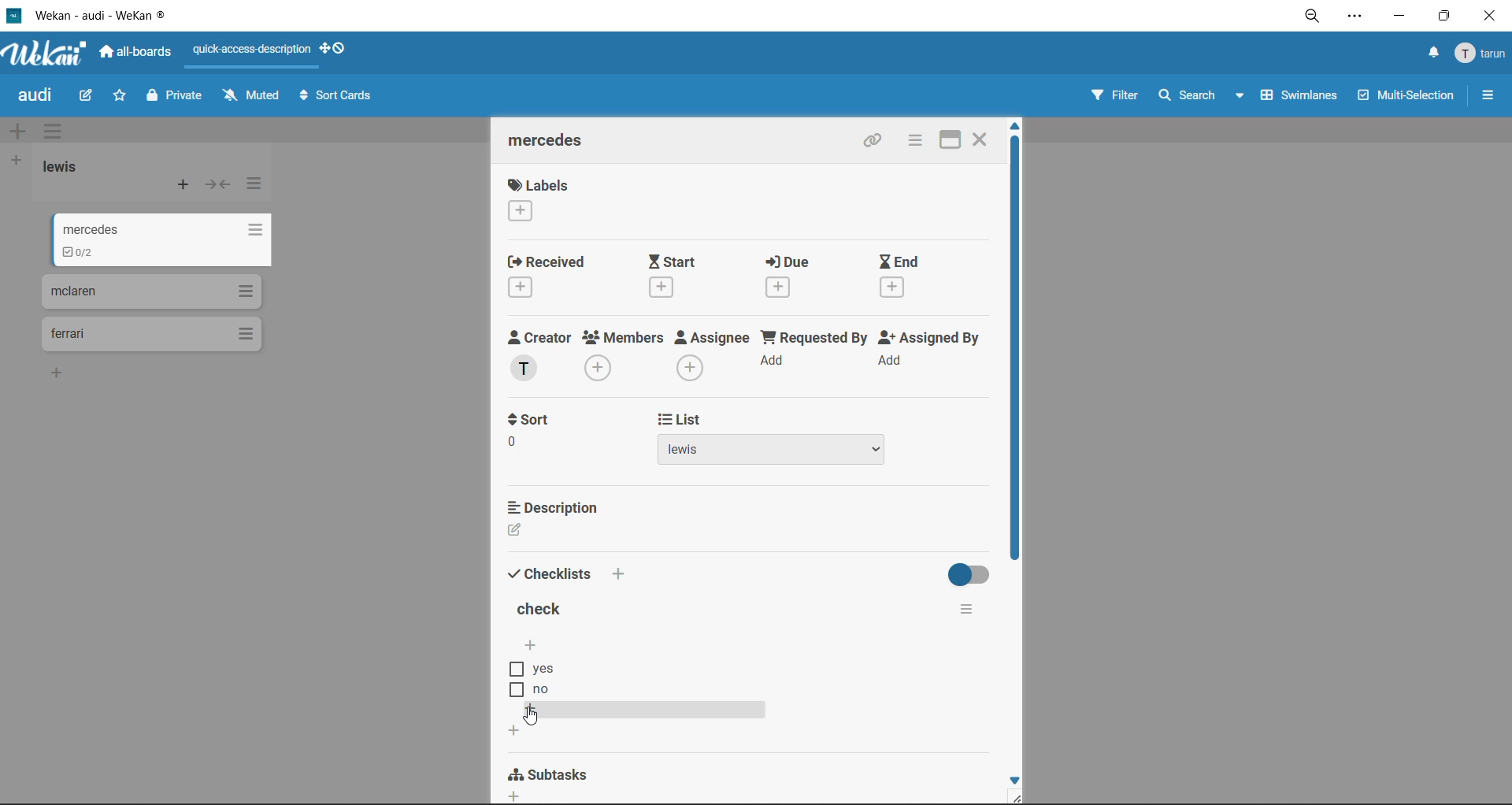 The width and height of the screenshot is (1512, 805). I want to click on swimlanes, so click(1302, 98).